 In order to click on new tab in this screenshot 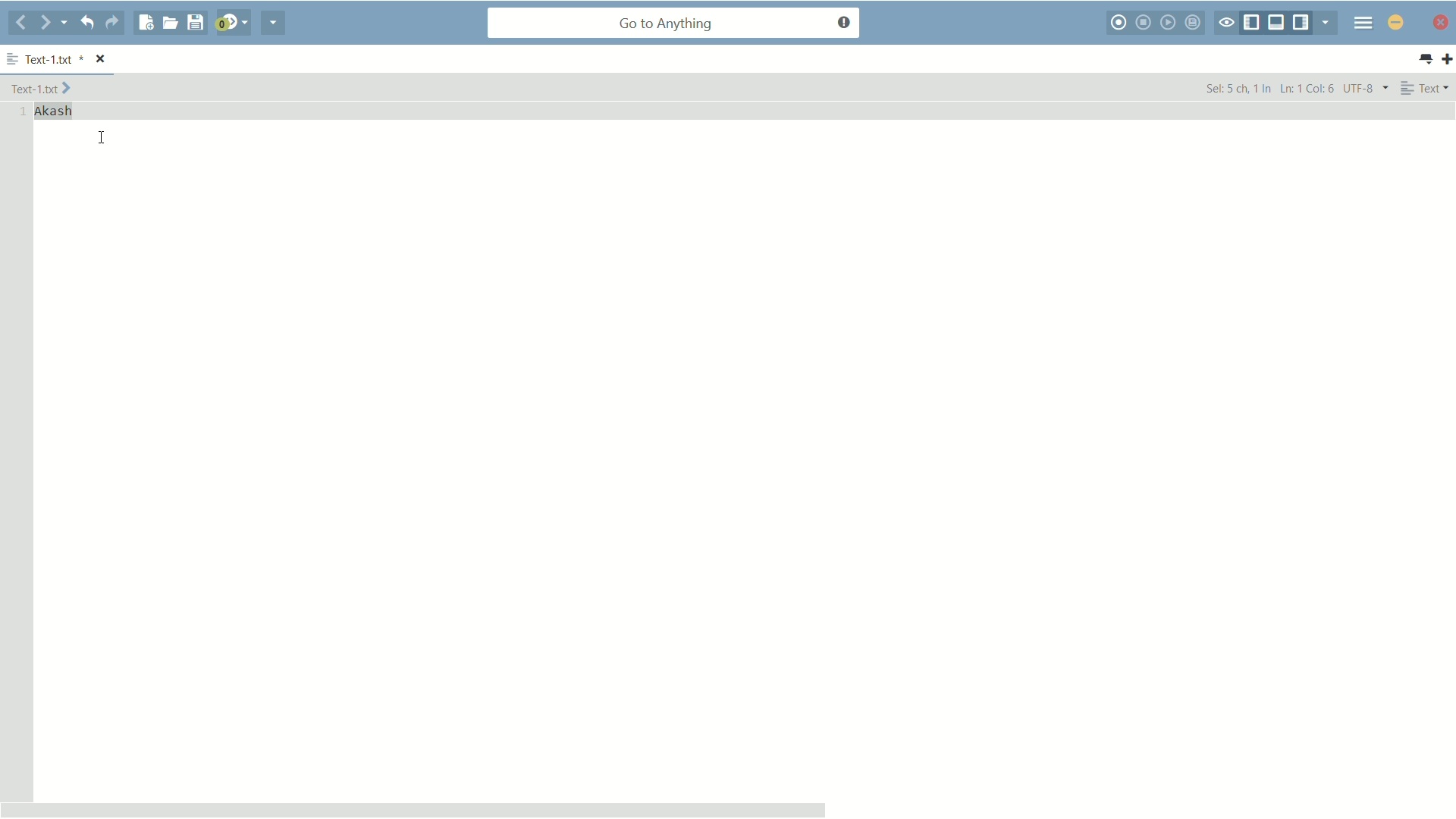, I will do `click(1447, 58)`.